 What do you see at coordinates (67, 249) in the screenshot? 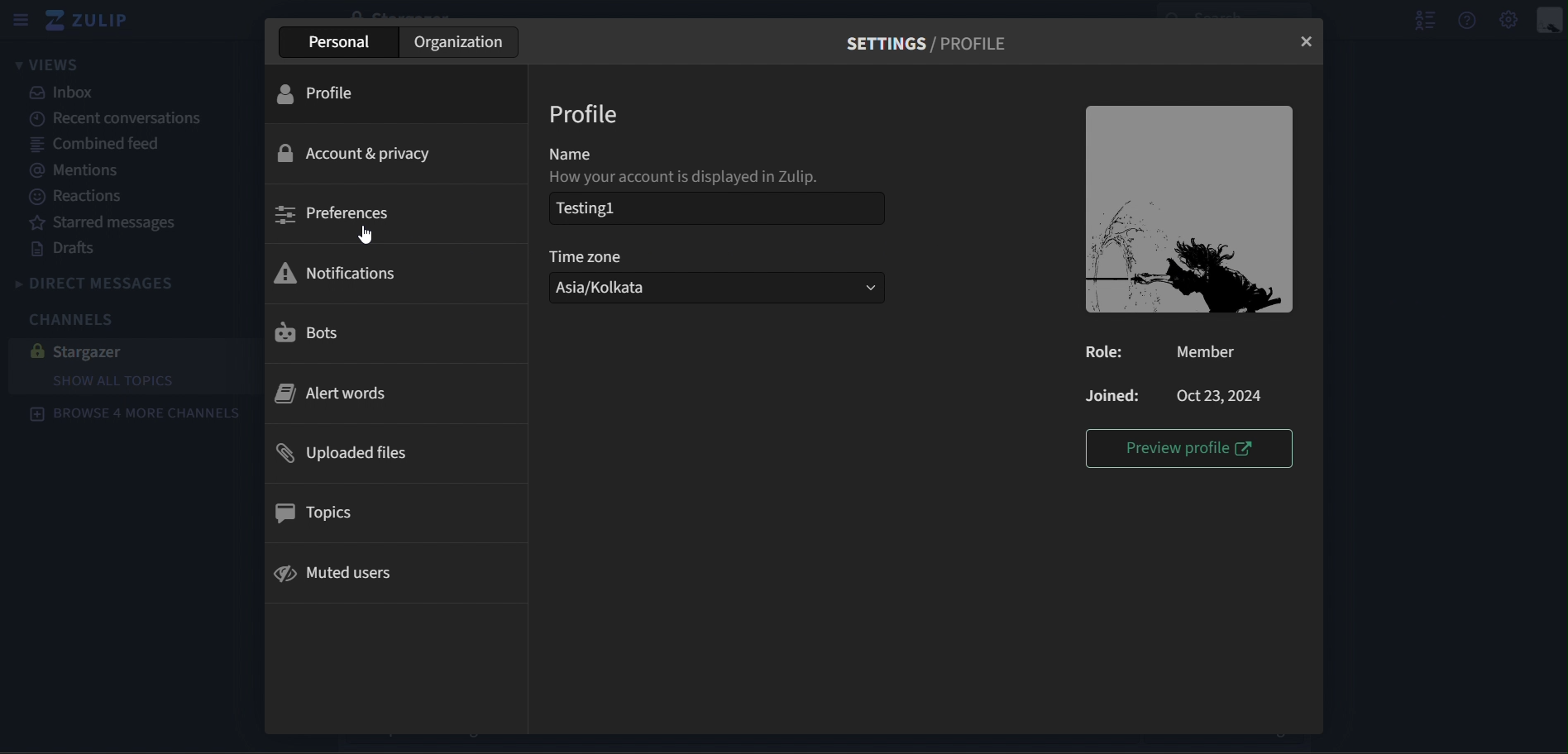
I see `drafts` at bounding box center [67, 249].